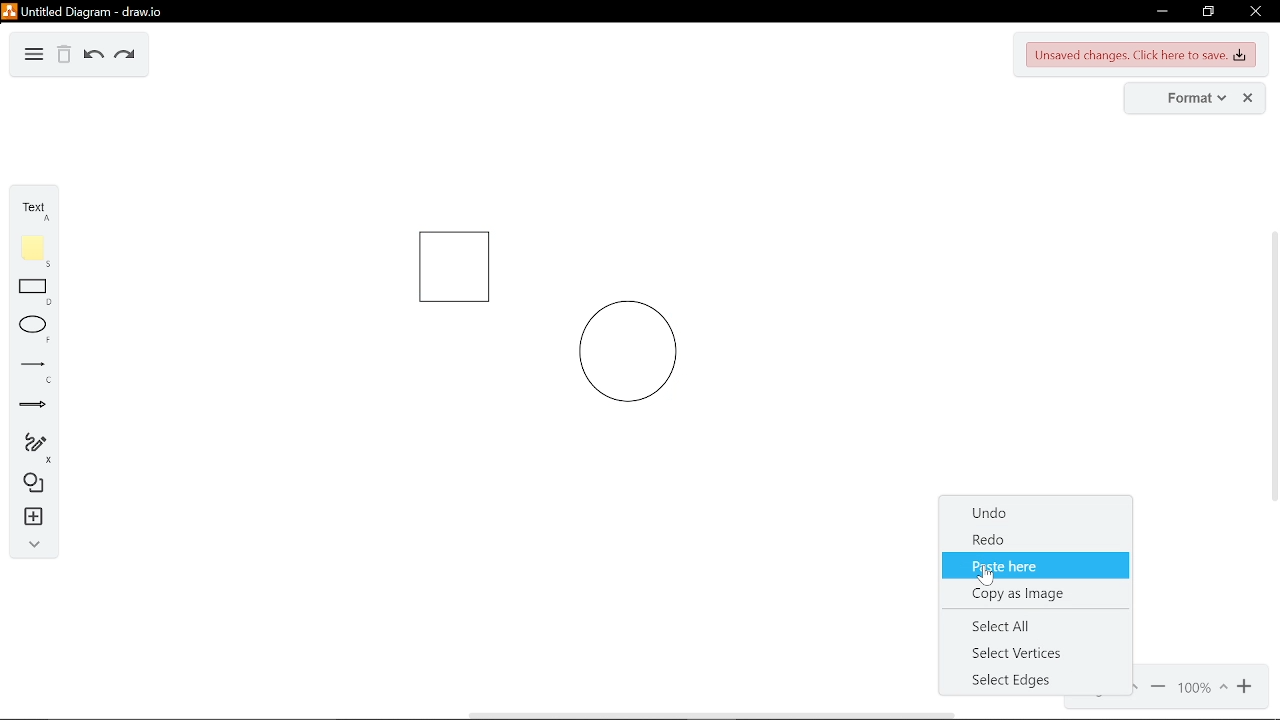 This screenshot has width=1280, height=720. Describe the element at coordinates (33, 407) in the screenshot. I see `arrows` at that location.